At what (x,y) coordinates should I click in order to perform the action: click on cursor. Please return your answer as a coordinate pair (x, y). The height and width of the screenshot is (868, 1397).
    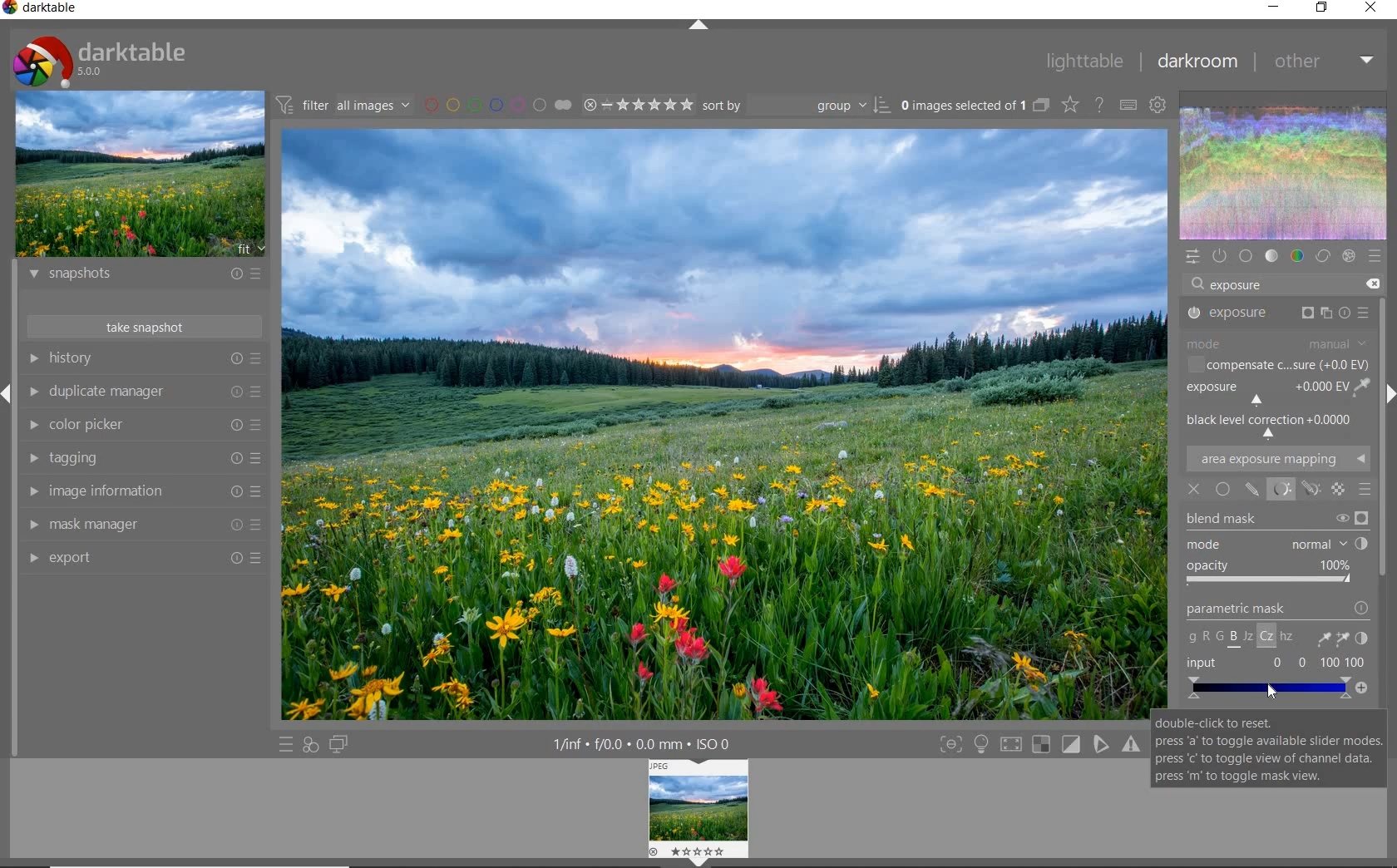
    Looking at the image, I should click on (1270, 691).